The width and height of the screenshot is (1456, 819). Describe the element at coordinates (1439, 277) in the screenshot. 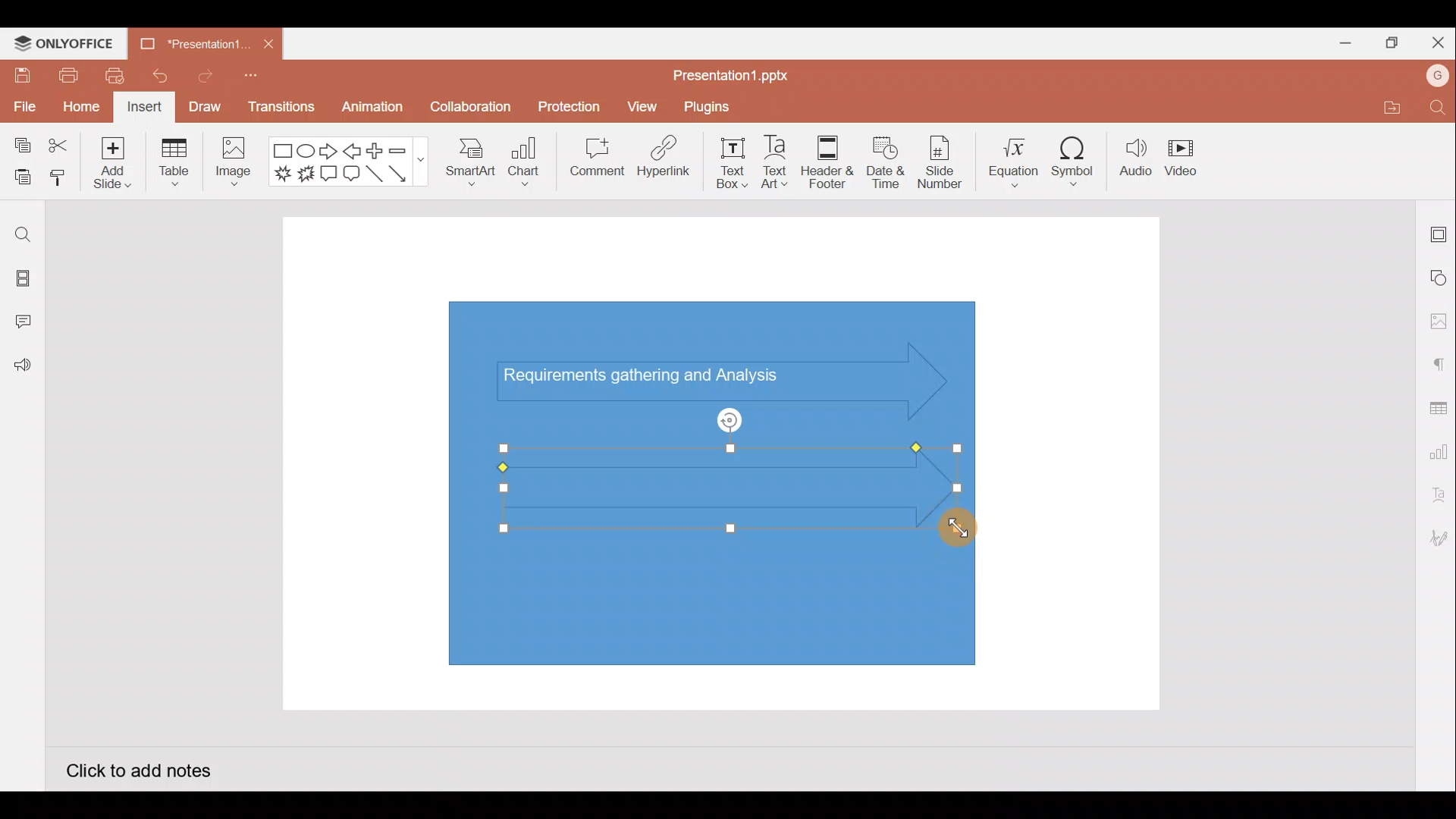

I see `Shape settings` at that location.